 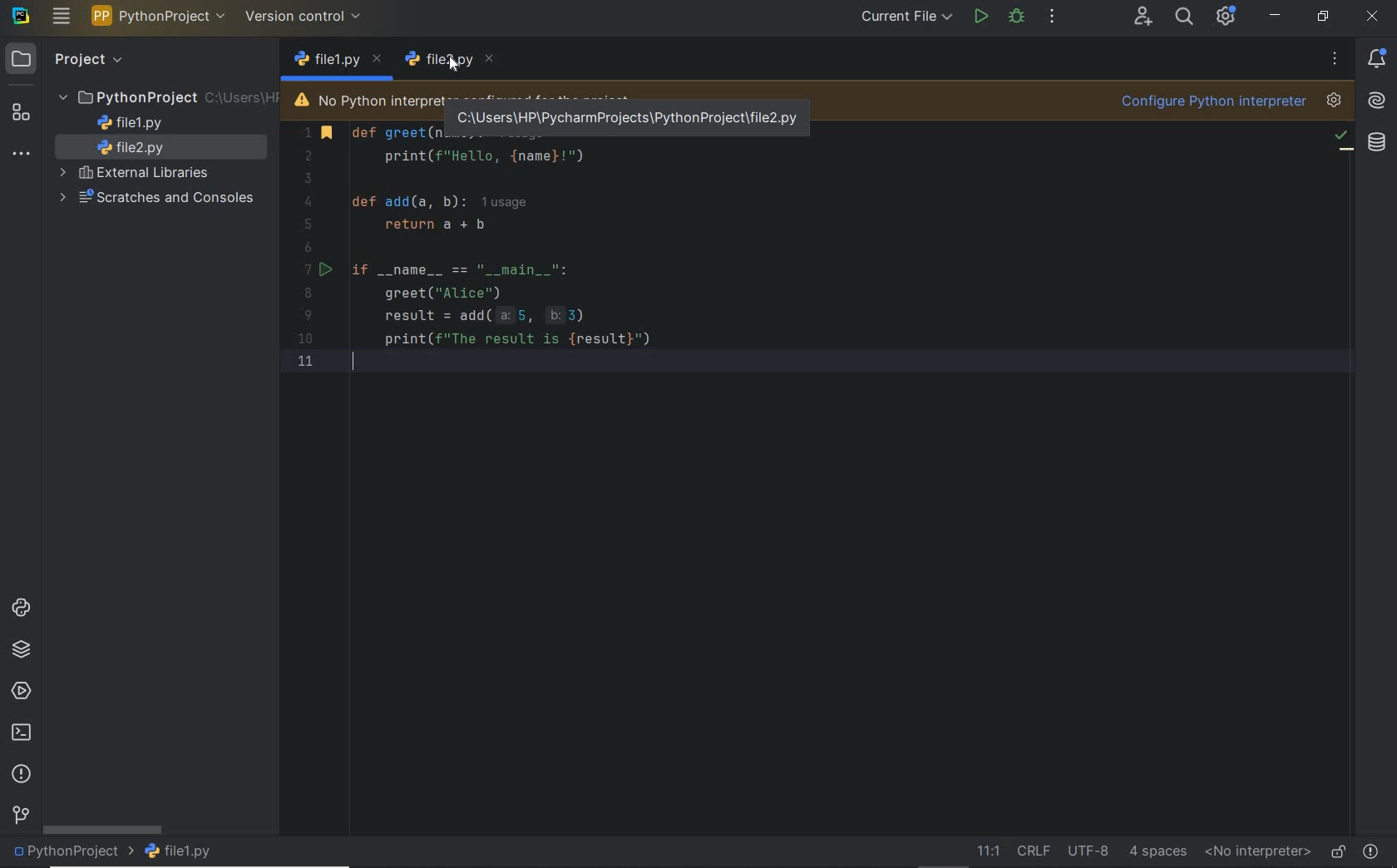 I want to click on AI, so click(x=1377, y=102).